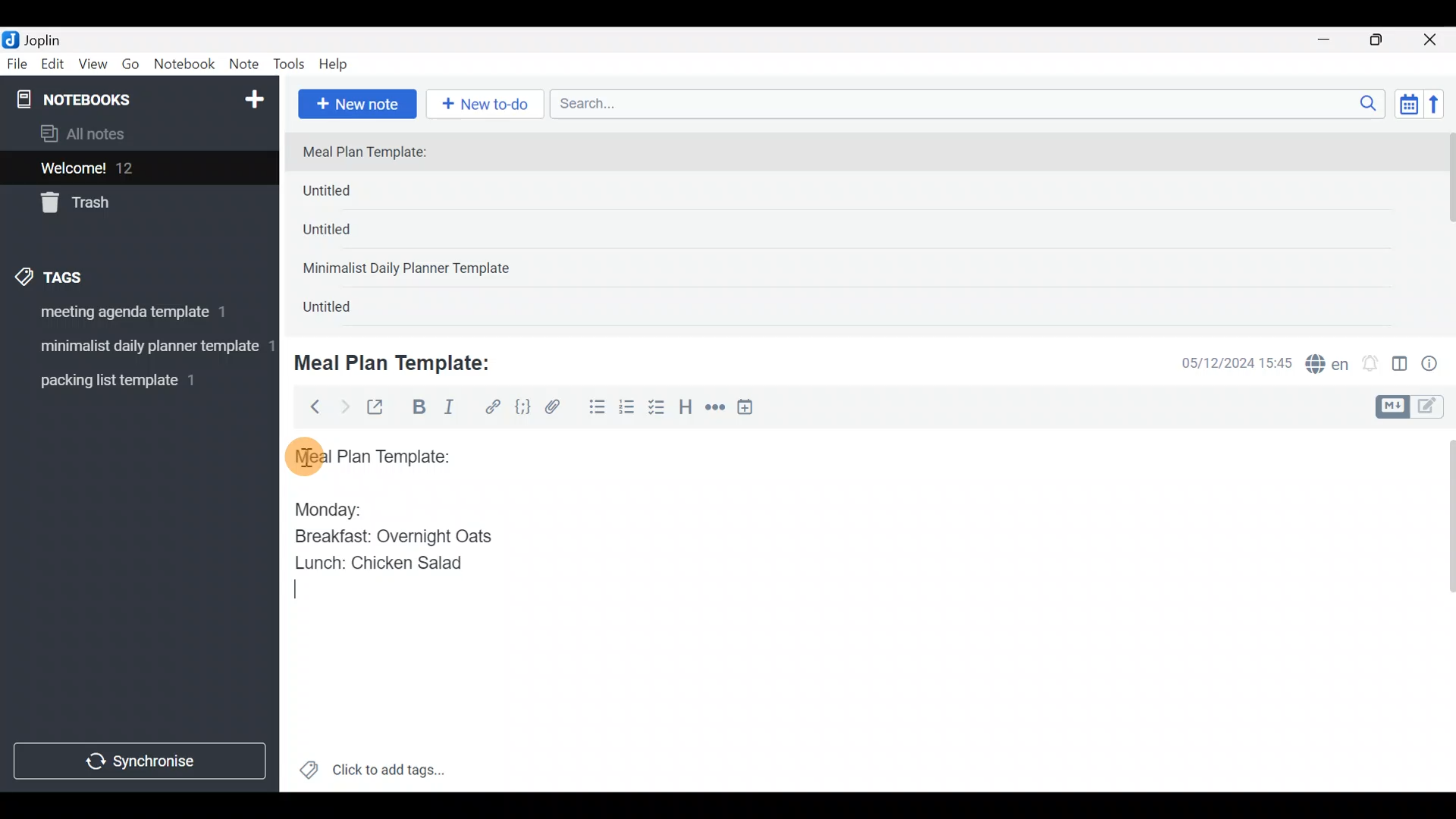  What do you see at coordinates (521, 406) in the screenshot?
I see `Code` at bounding box center [521, 406].